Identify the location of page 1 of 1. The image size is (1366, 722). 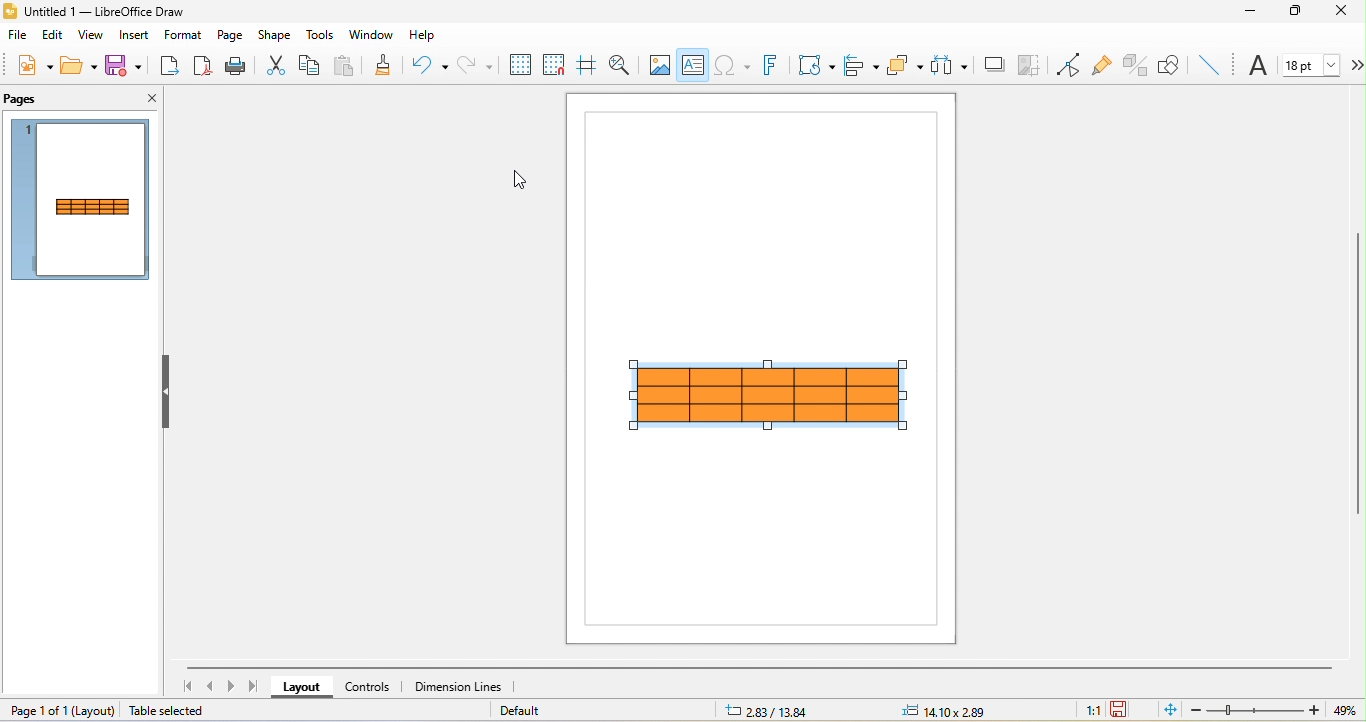
(35, 709).